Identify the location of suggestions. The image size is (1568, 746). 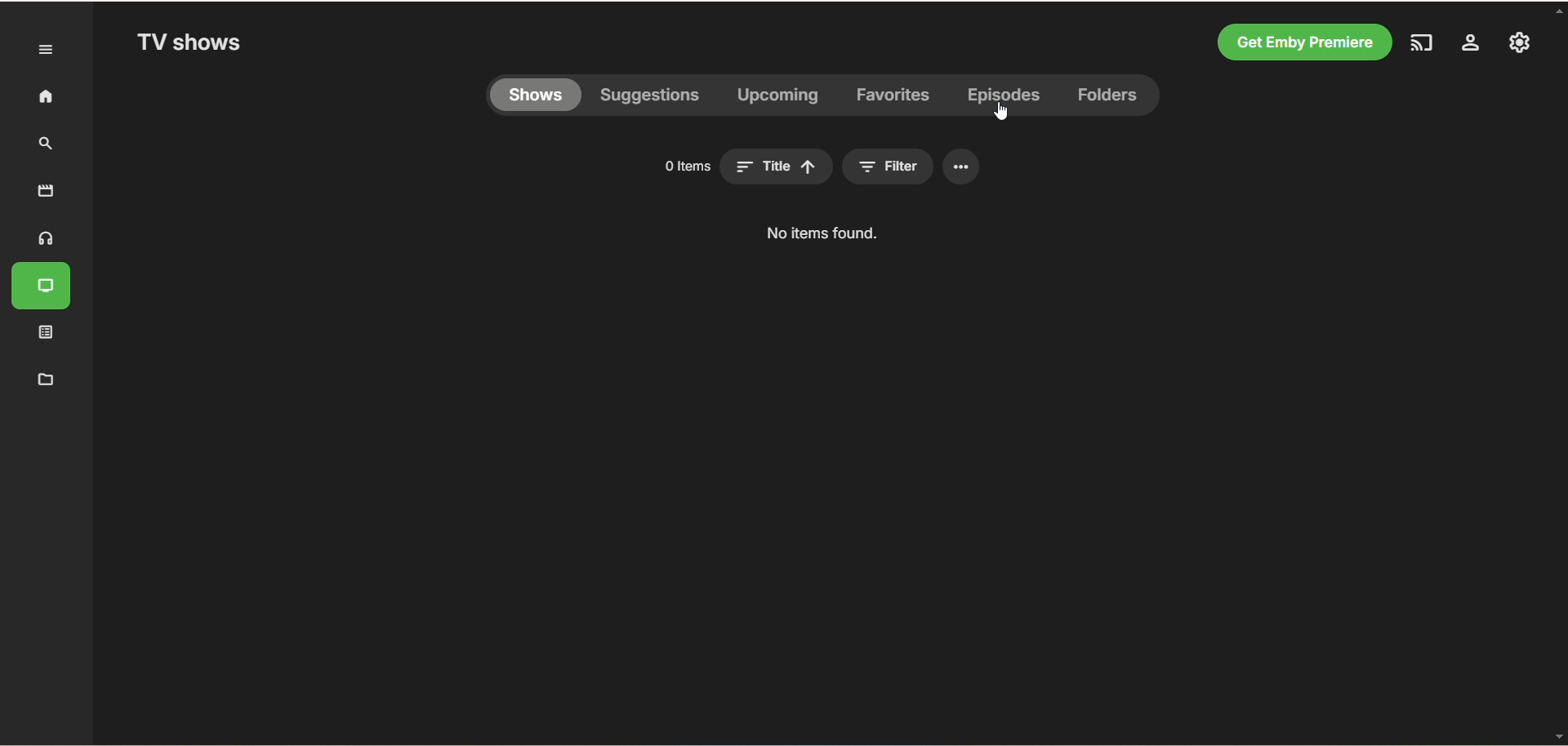
(653, 96).